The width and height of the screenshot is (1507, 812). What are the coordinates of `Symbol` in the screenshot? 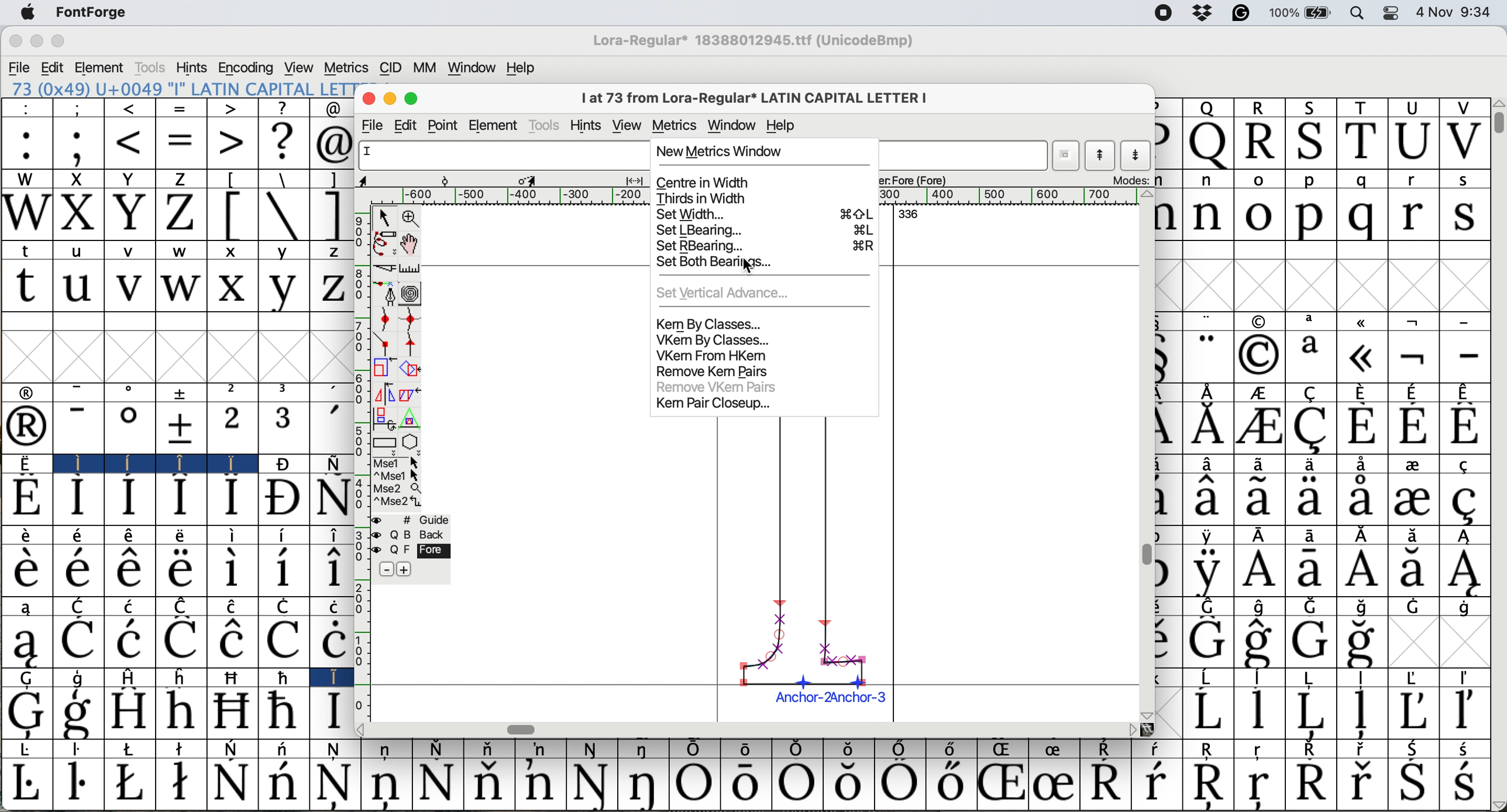 It's located at (1361, 713).